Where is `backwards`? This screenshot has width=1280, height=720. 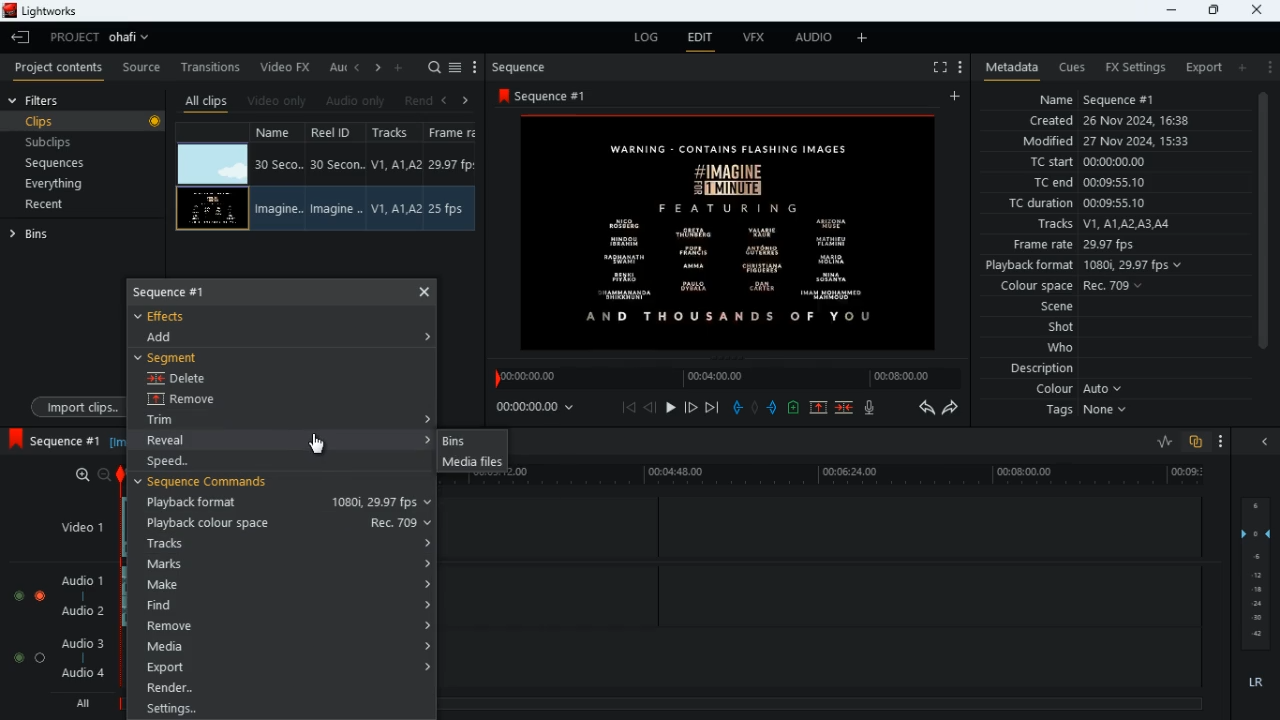
backwards is located at coordinates (924, 408).